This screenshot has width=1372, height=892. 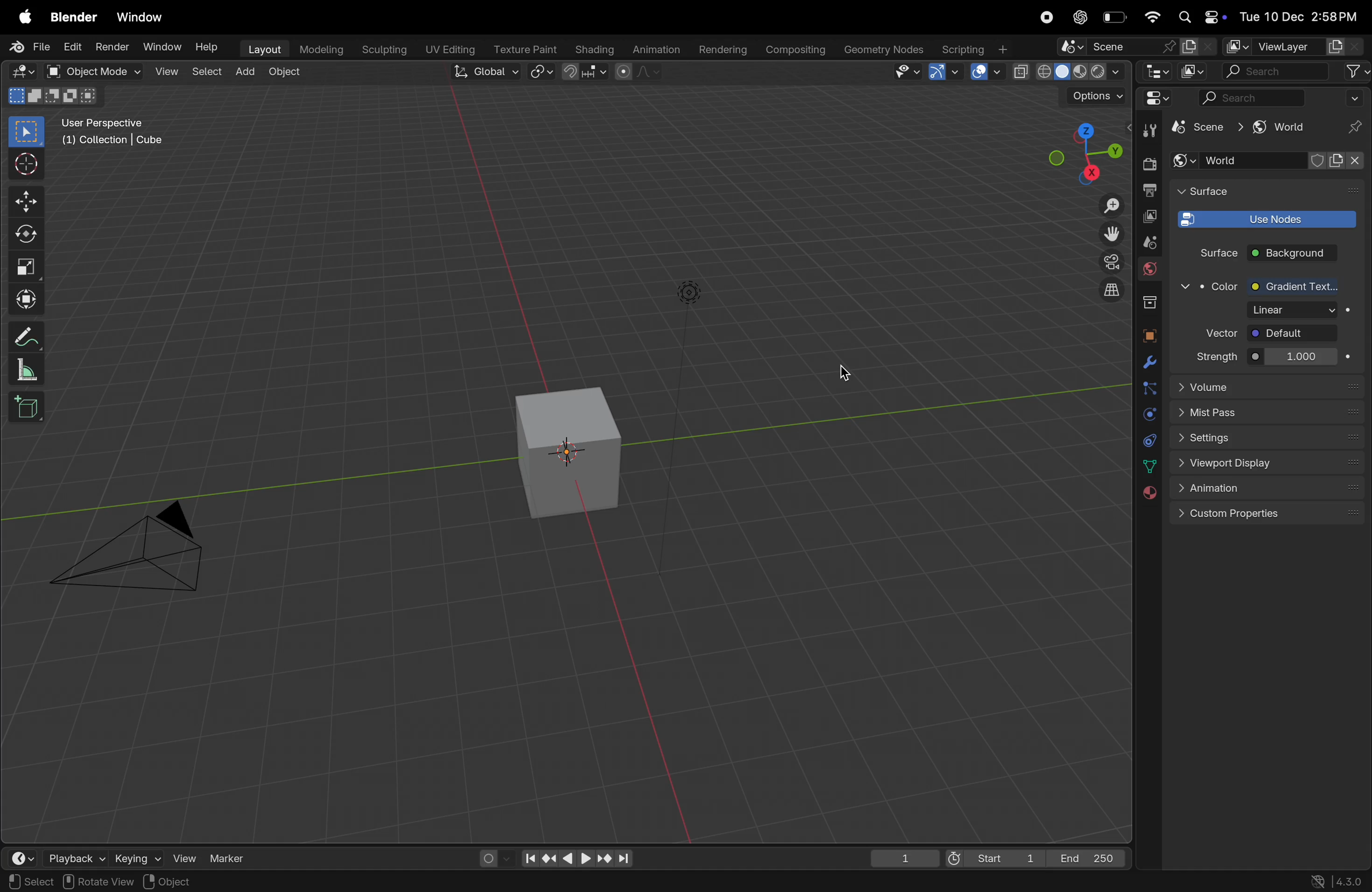 I want to click on Help, so click(x=206, y=47).